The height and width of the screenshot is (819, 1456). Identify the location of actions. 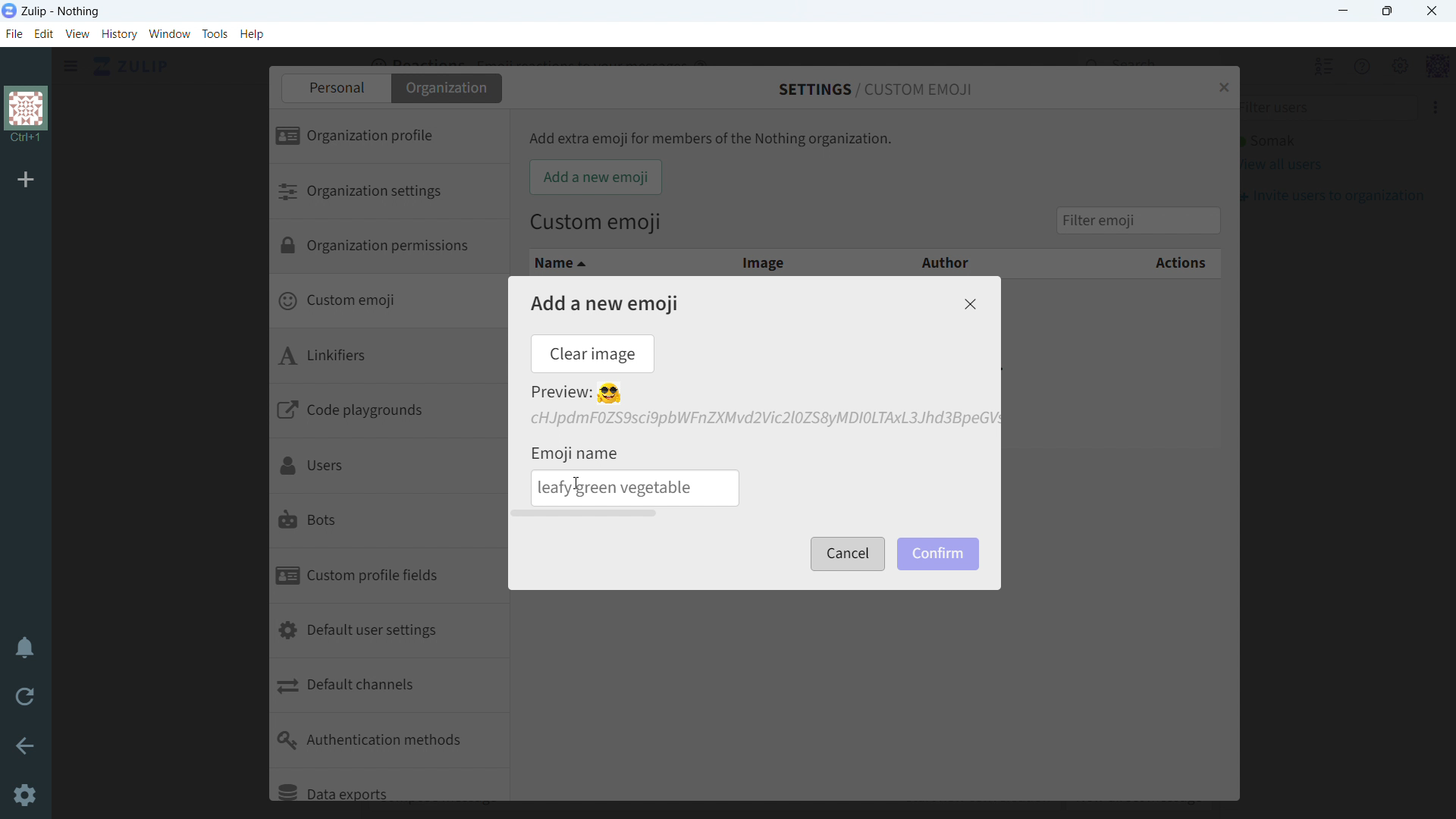
(1127, 264).